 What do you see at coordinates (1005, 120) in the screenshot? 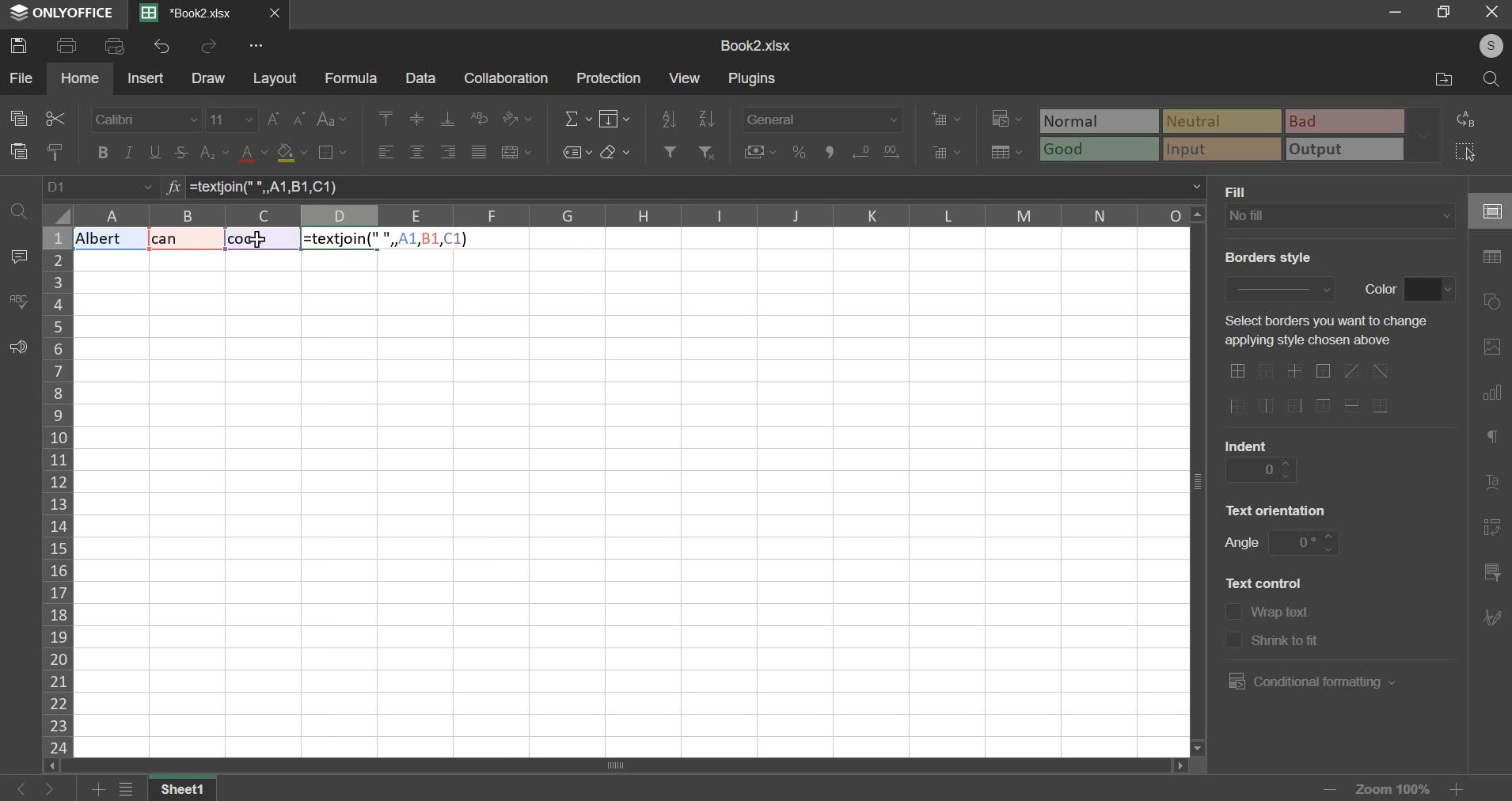
I see `conditional formatting` at bounding box center [1005, 120].